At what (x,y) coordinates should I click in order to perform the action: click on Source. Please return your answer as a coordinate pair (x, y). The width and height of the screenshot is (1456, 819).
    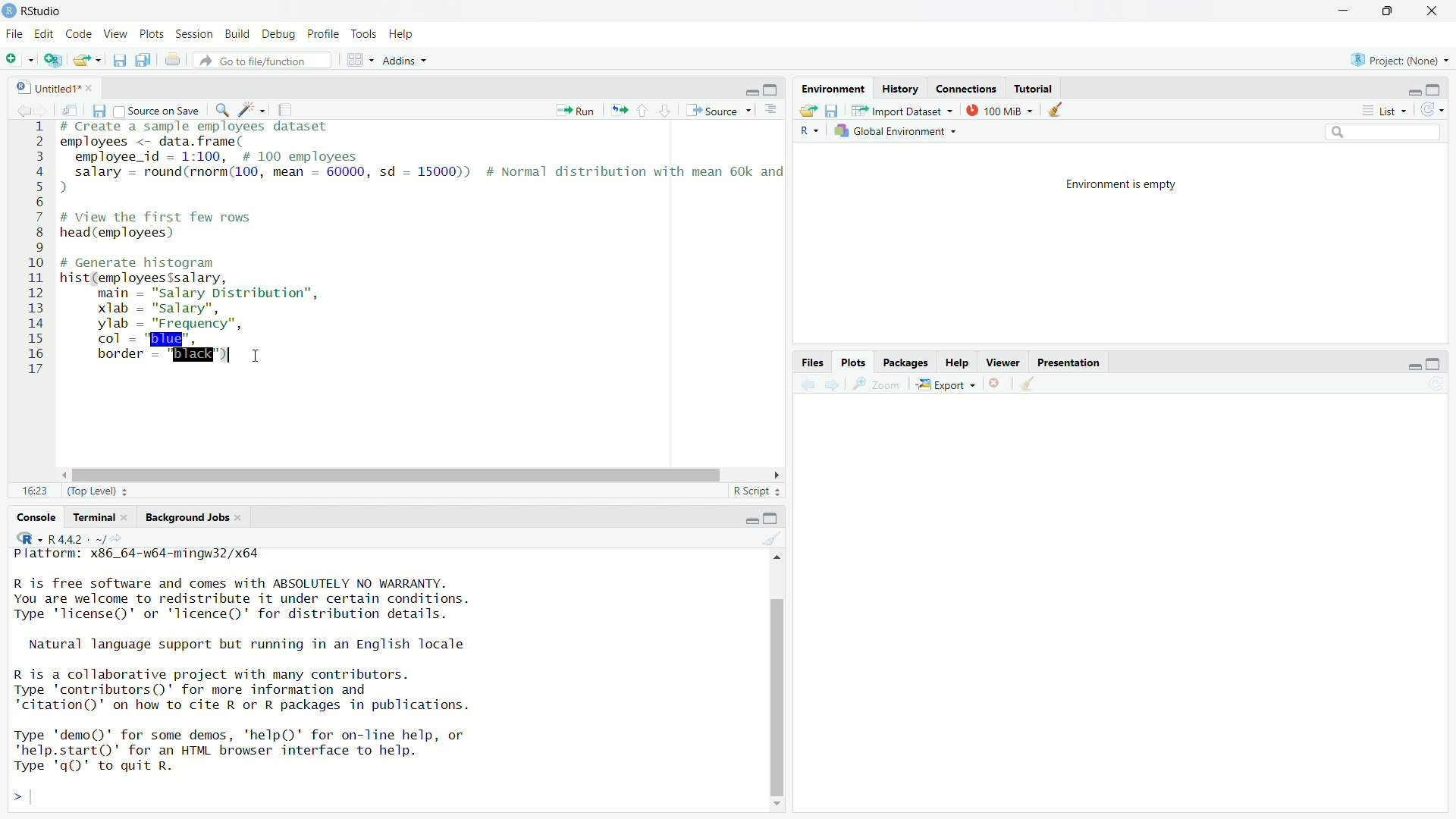
    Looking at the image, I should click on (719, 110).